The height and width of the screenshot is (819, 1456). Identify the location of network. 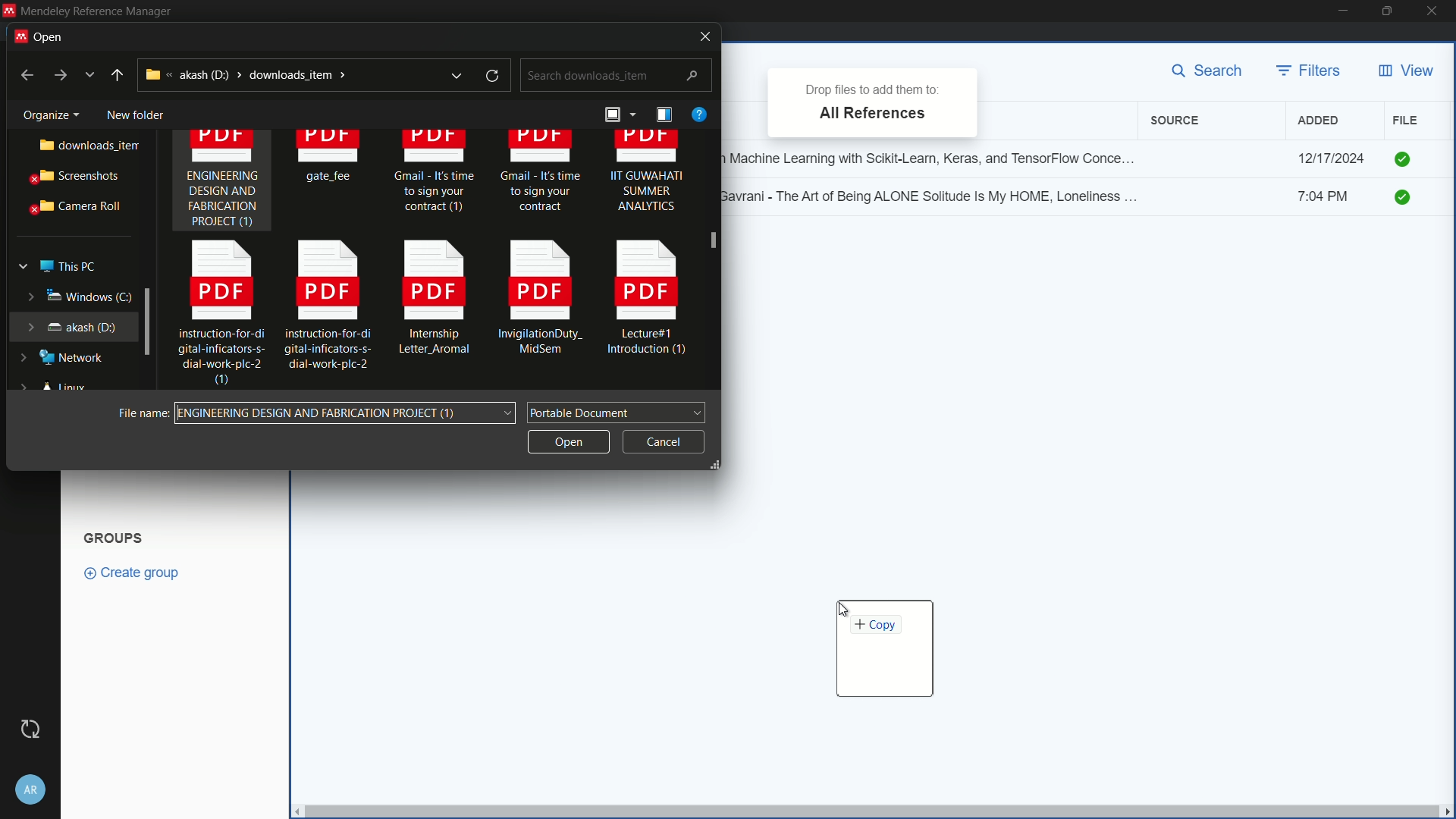
(64, 358).